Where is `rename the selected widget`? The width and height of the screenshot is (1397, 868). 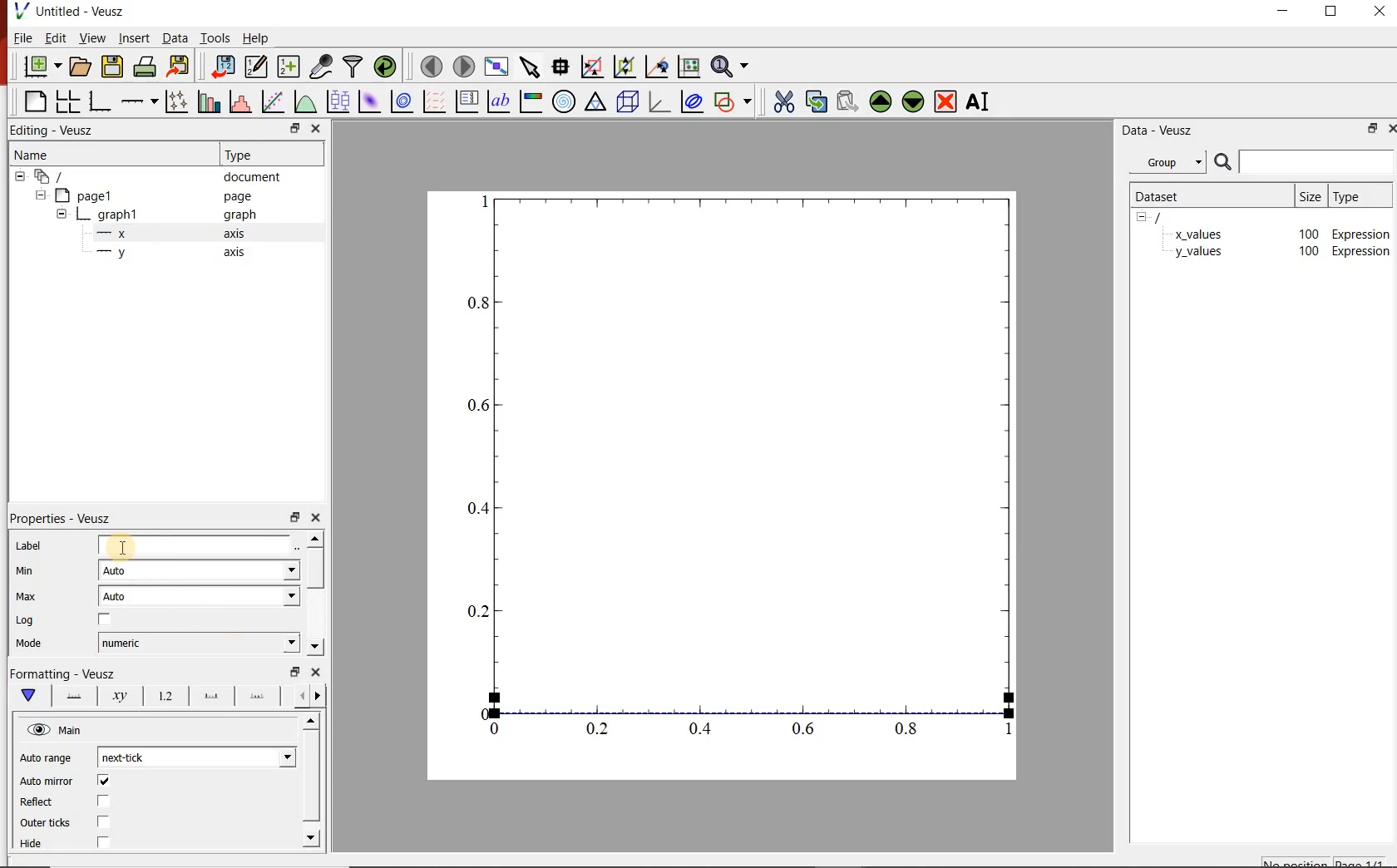 rename the selected widget is located at coordinates (980, 104).